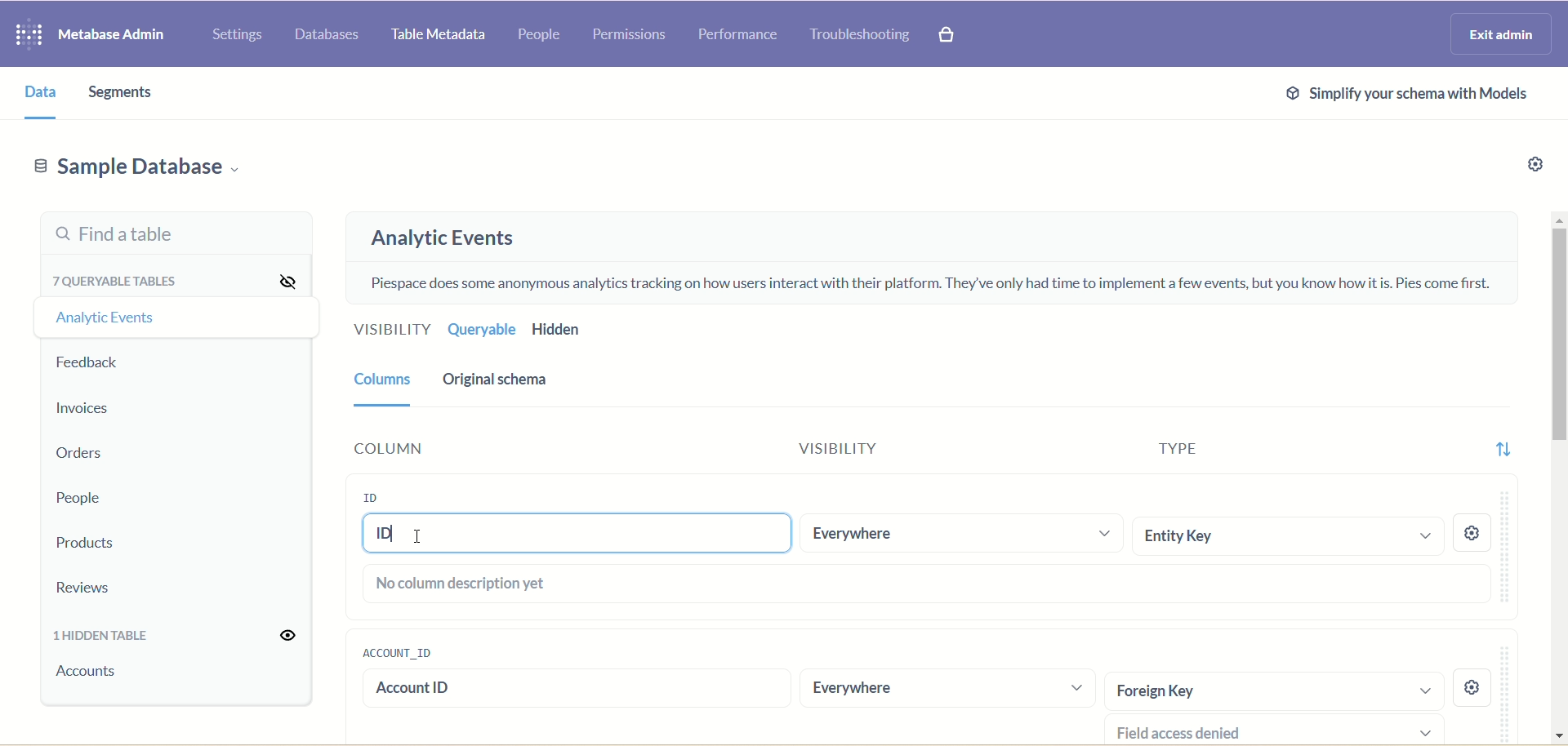 This screenshot has width=1568, height=746. What do you see at coordinates (948, 36) in the screenshot?
I see `Explore paid features` at bounding box center [948, 36].